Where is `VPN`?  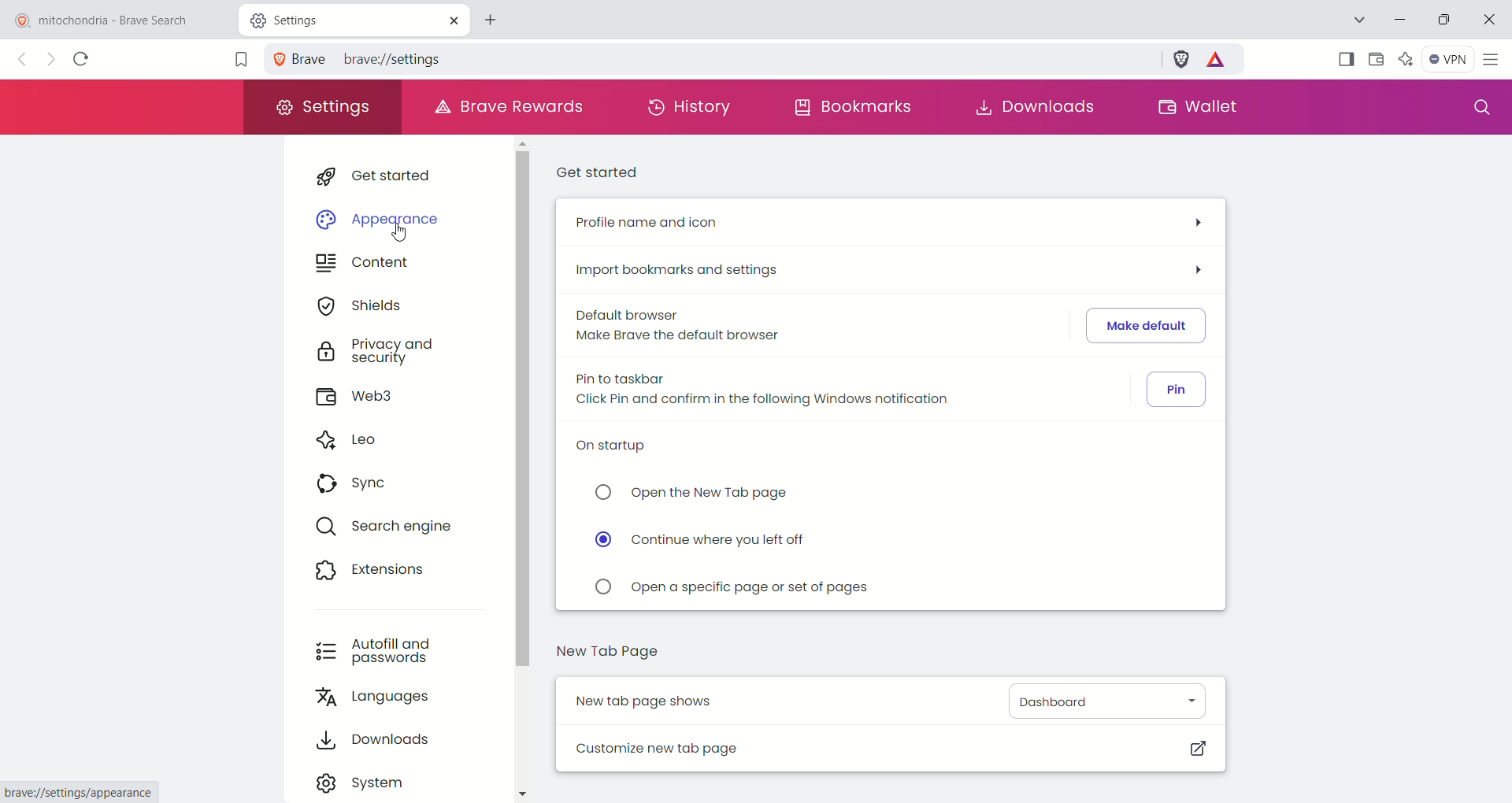 VPN is located at coordinates (1447, 58).